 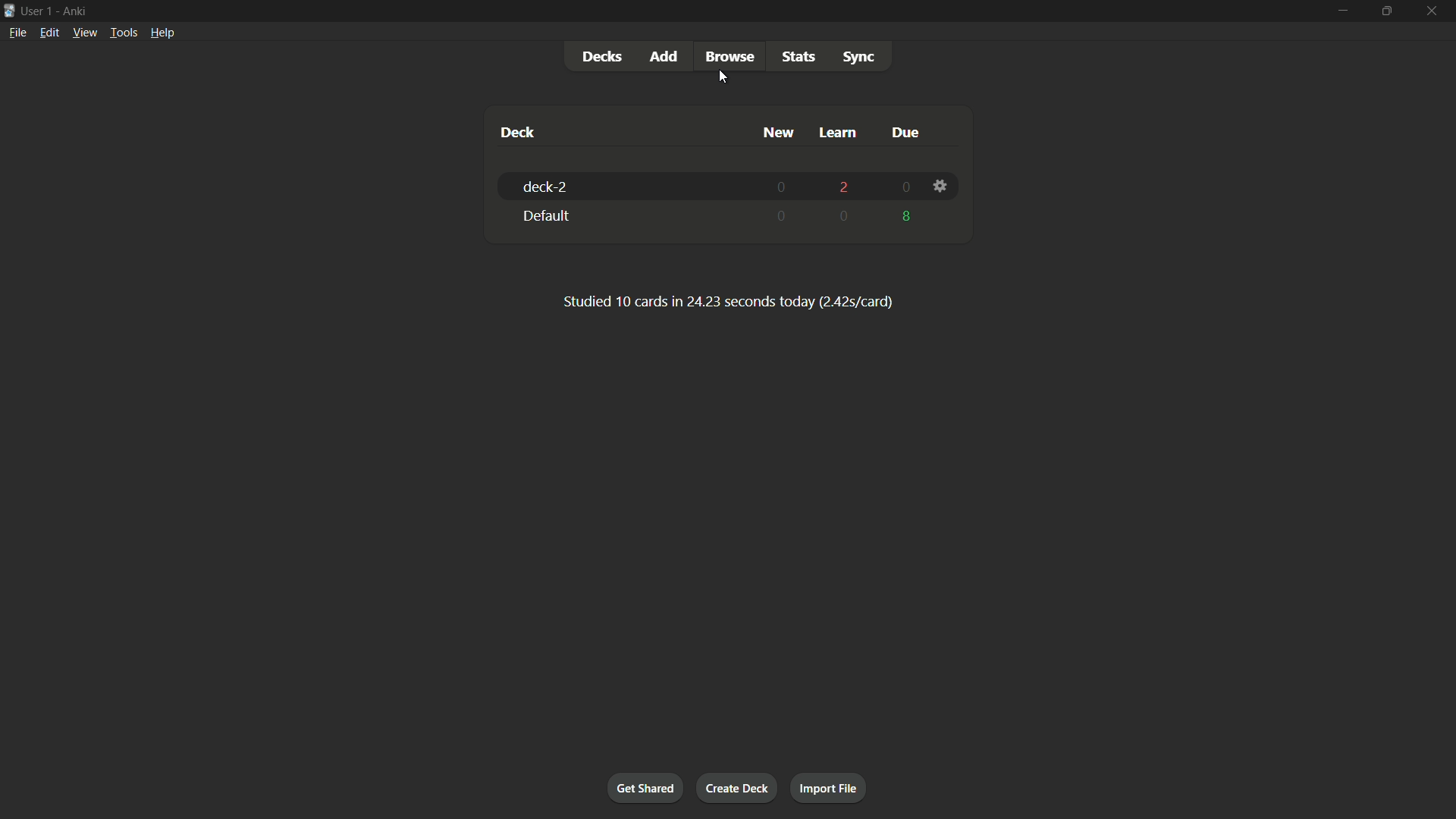 I want to click on Cursor, so click(x=722, y=80).